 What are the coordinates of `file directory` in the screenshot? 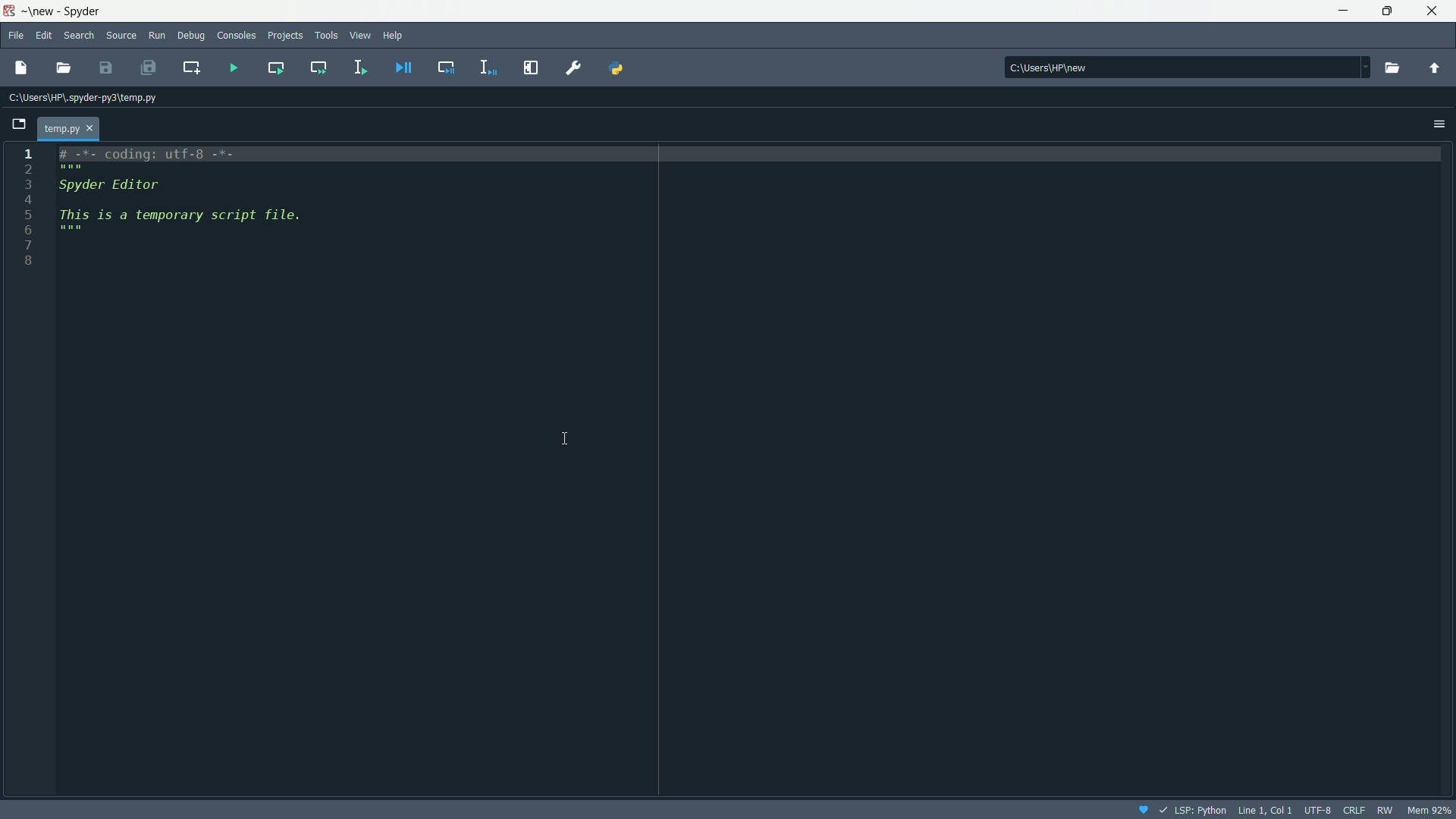 It's located at (1183, 64).